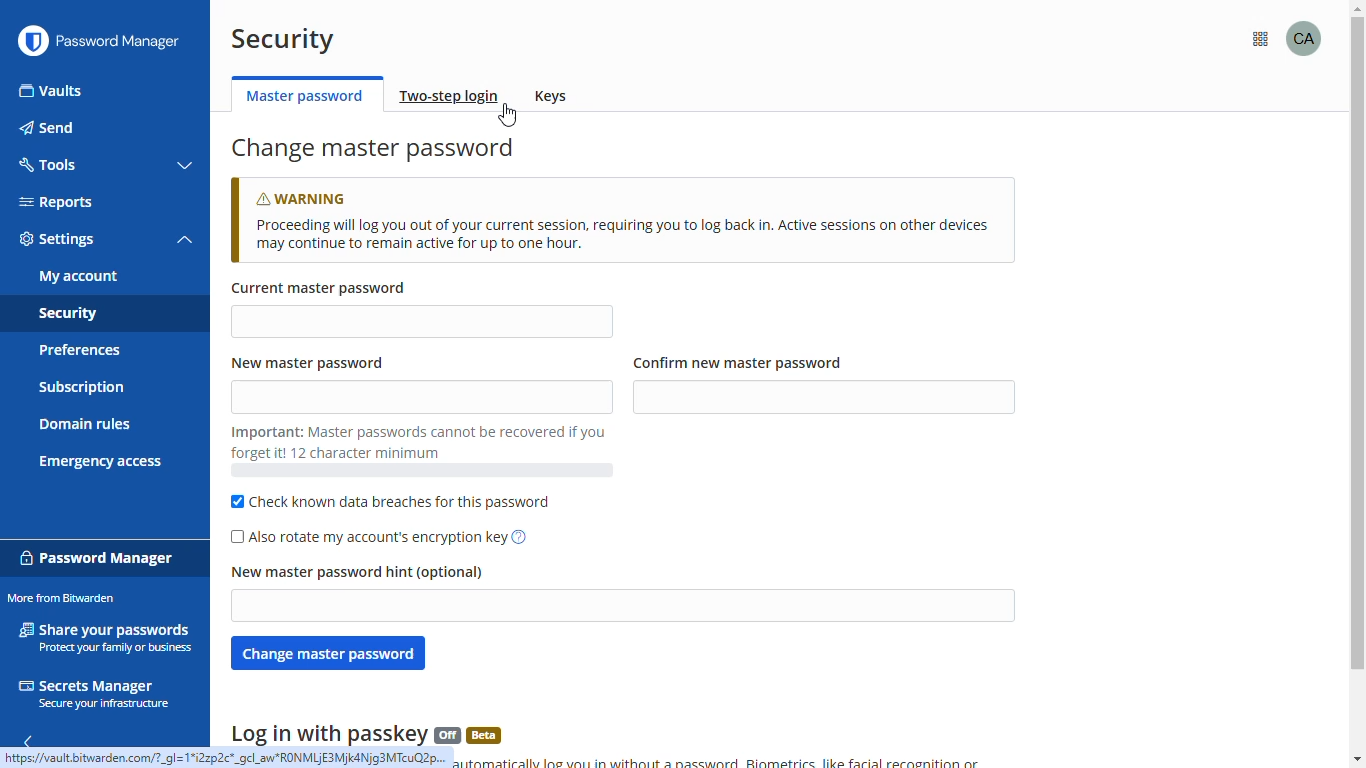 This screenshot has width=1366, height=768. What do you see at coordinates (388, 502) in the screenshot?
I see `check known data breaches for this password` at bounding box center [388, 502].